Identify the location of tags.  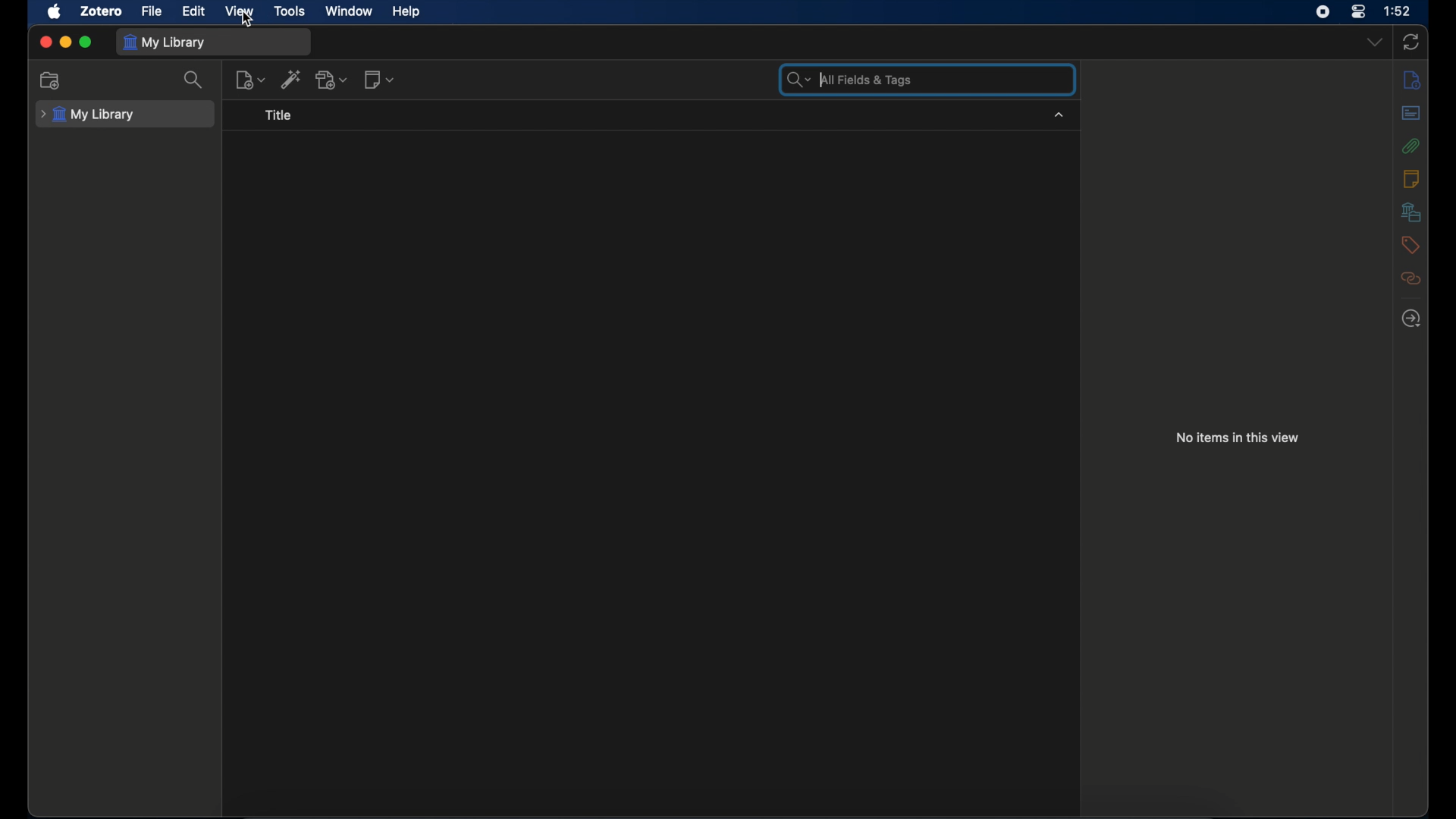
(1409, 245).